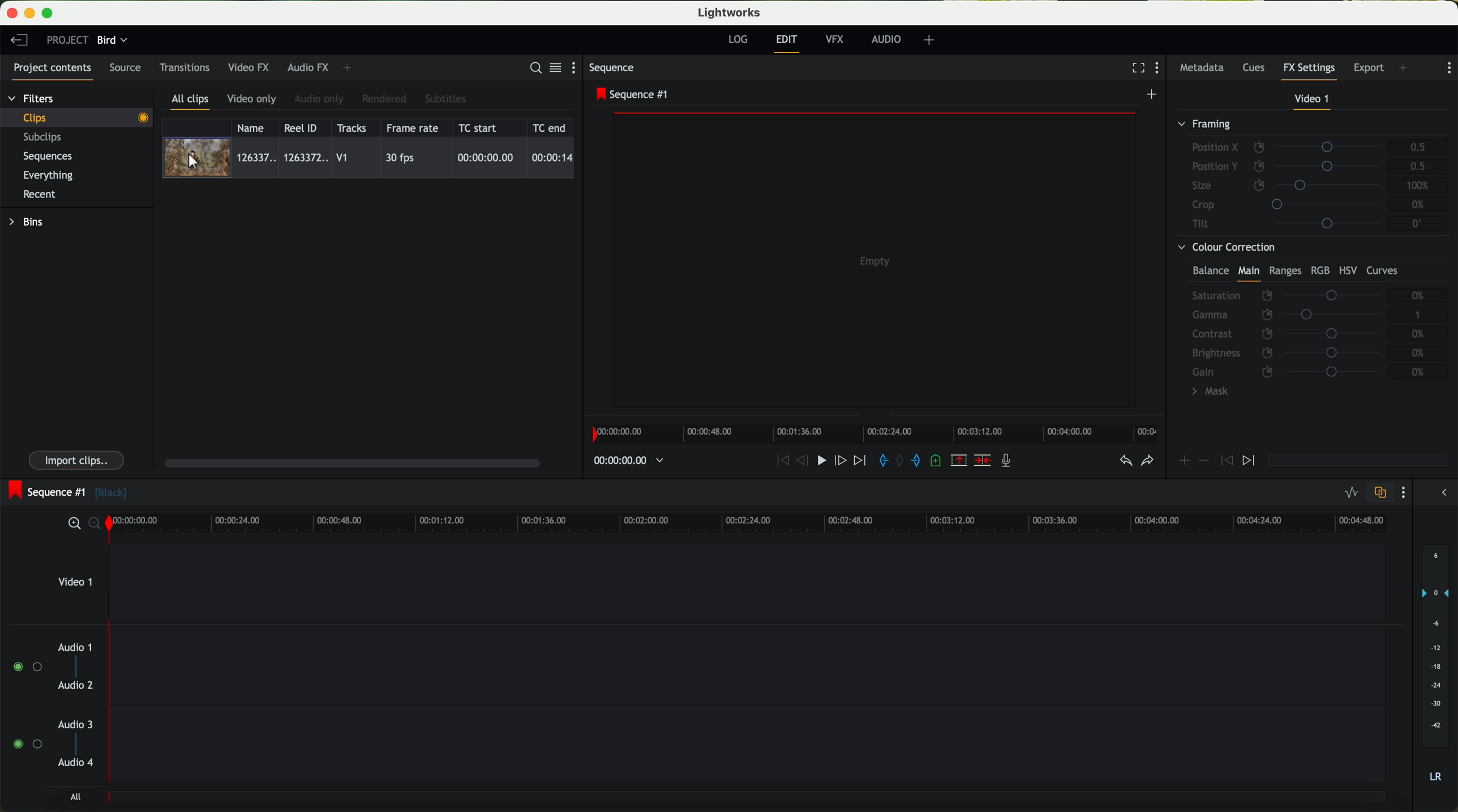  Describe the element at coordinates (880, 261) in the screenshot. I see `video preview` at that location.